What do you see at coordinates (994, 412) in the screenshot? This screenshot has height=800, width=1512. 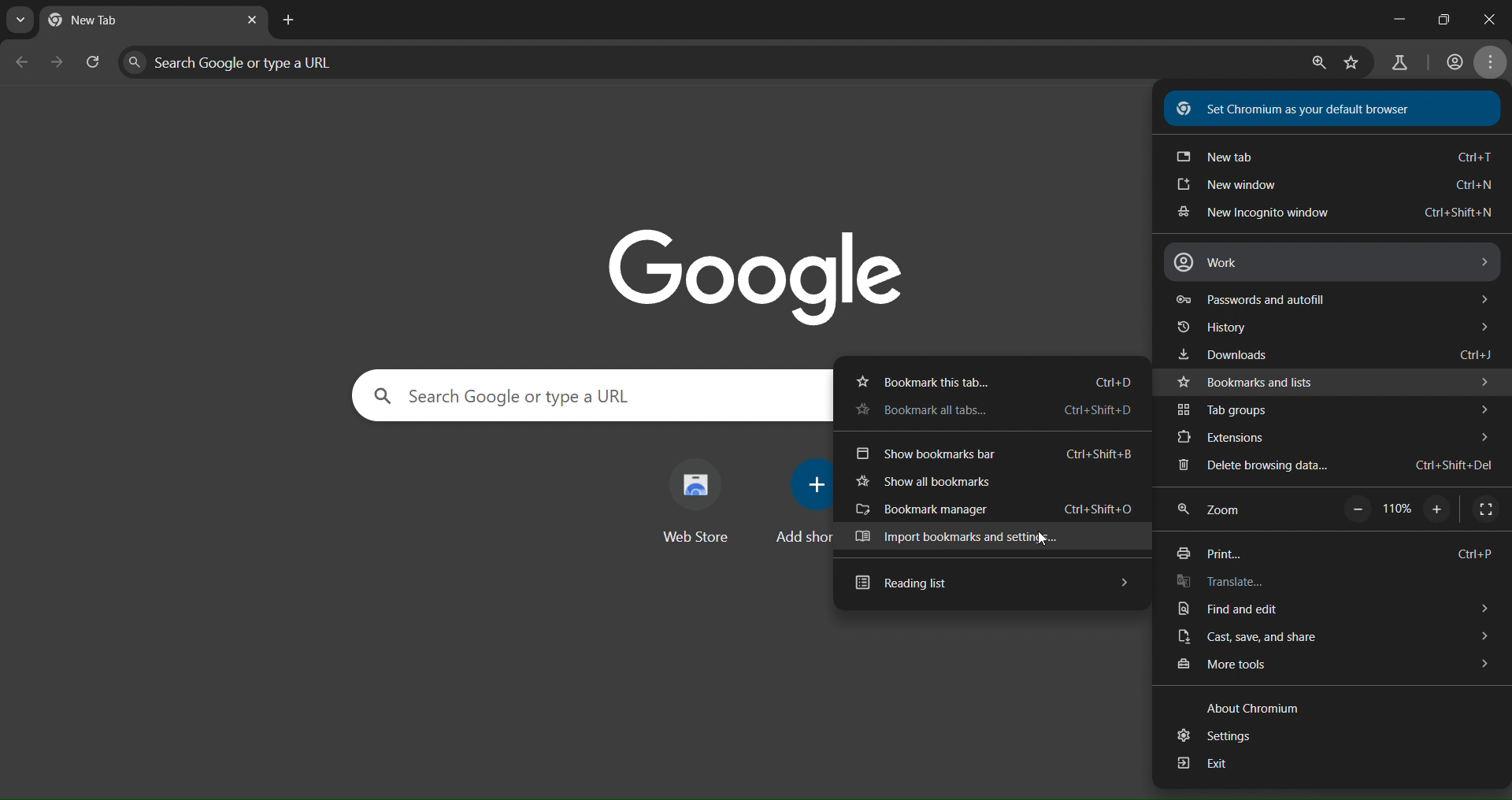 I see `bookmark all this` at bounding box center [994, 412].